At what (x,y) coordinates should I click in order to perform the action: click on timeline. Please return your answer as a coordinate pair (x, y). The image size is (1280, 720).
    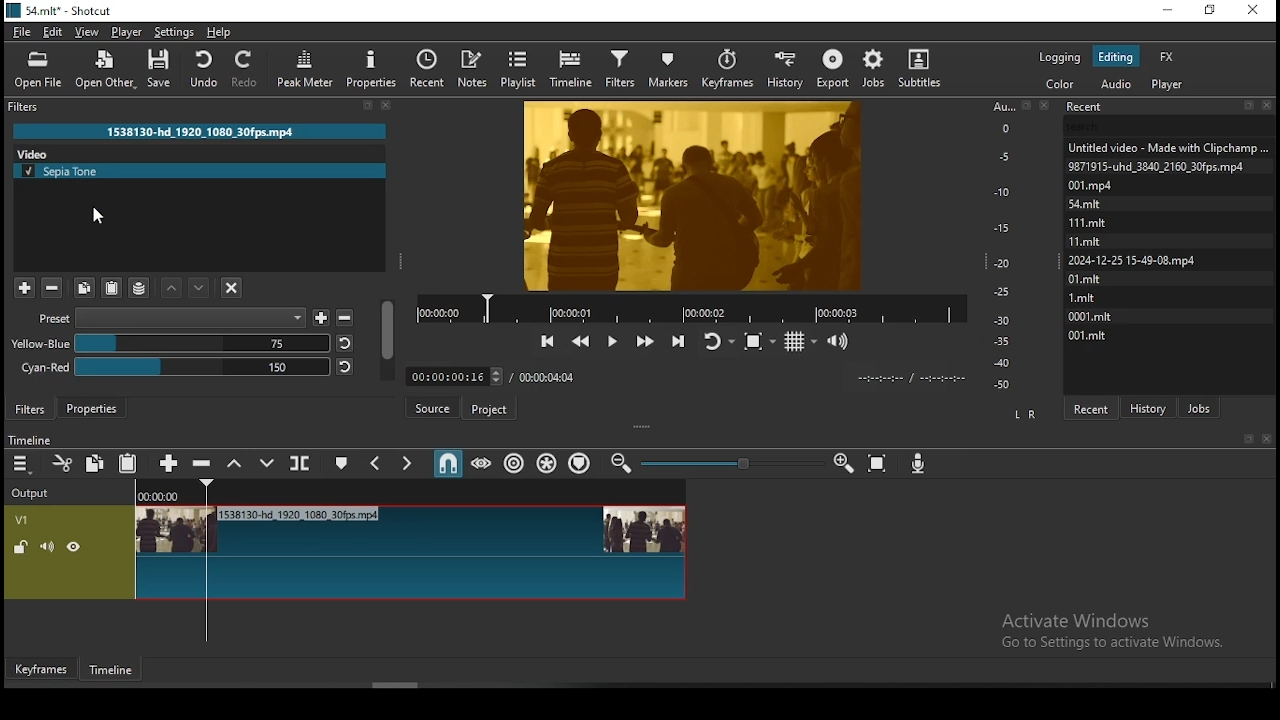
    Looking at the image, I should click on (112, 673).